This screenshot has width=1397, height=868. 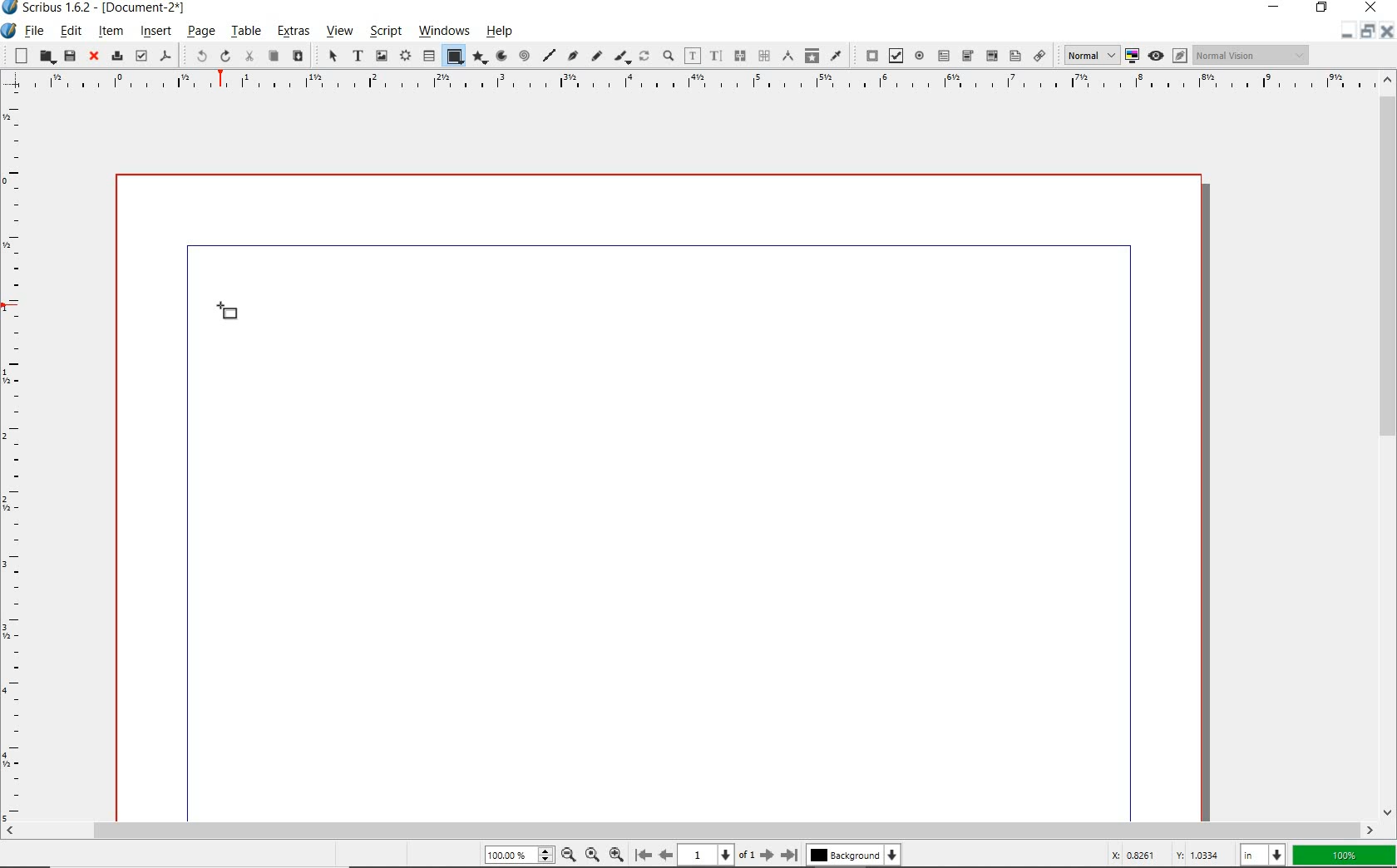 What do you see at coordinates (249, 57) in the screenshot?
I see `cut` at bounding box center [249, 57].